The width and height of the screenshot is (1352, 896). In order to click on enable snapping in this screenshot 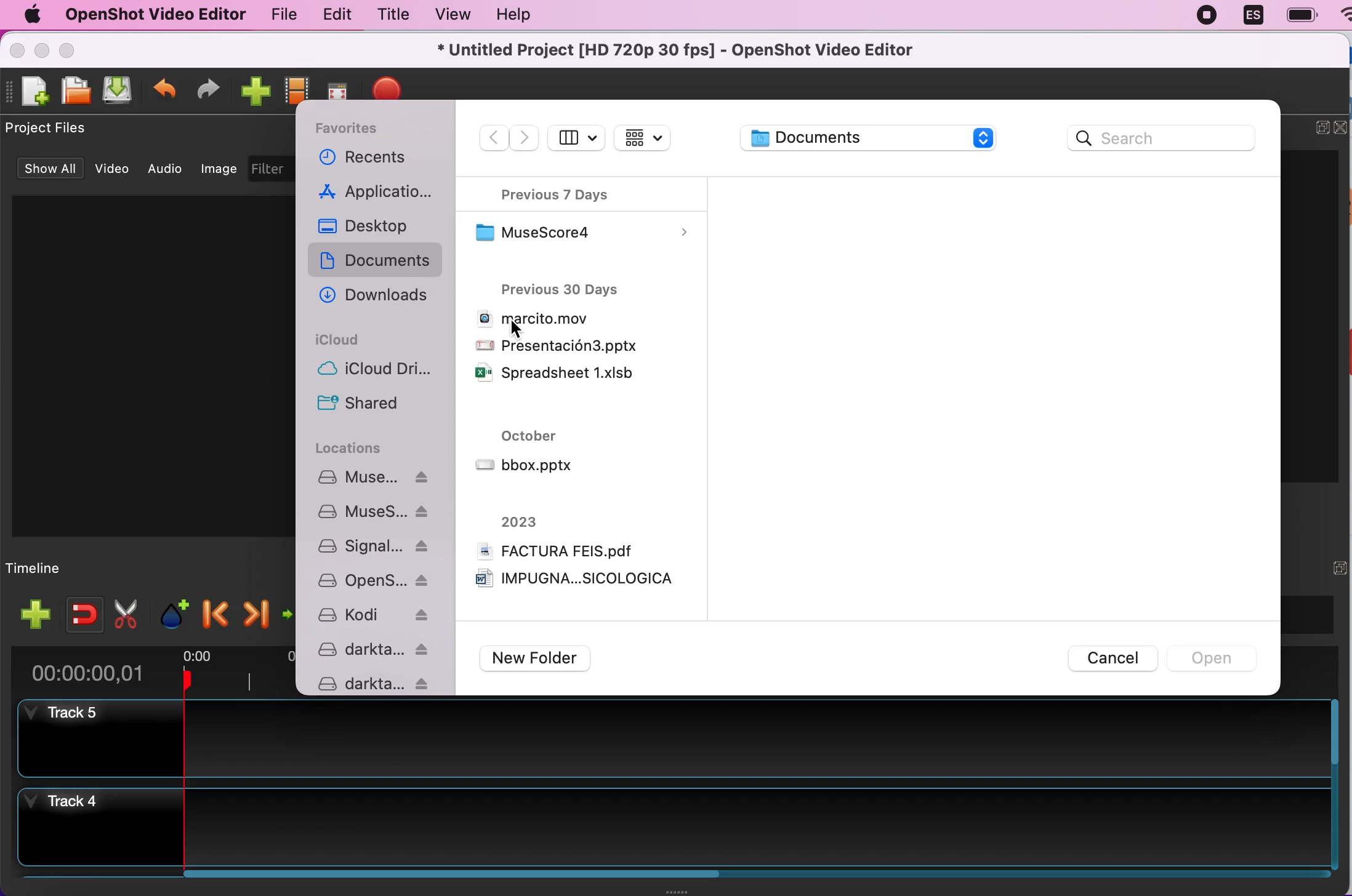, I will do `click(82, 612)`.